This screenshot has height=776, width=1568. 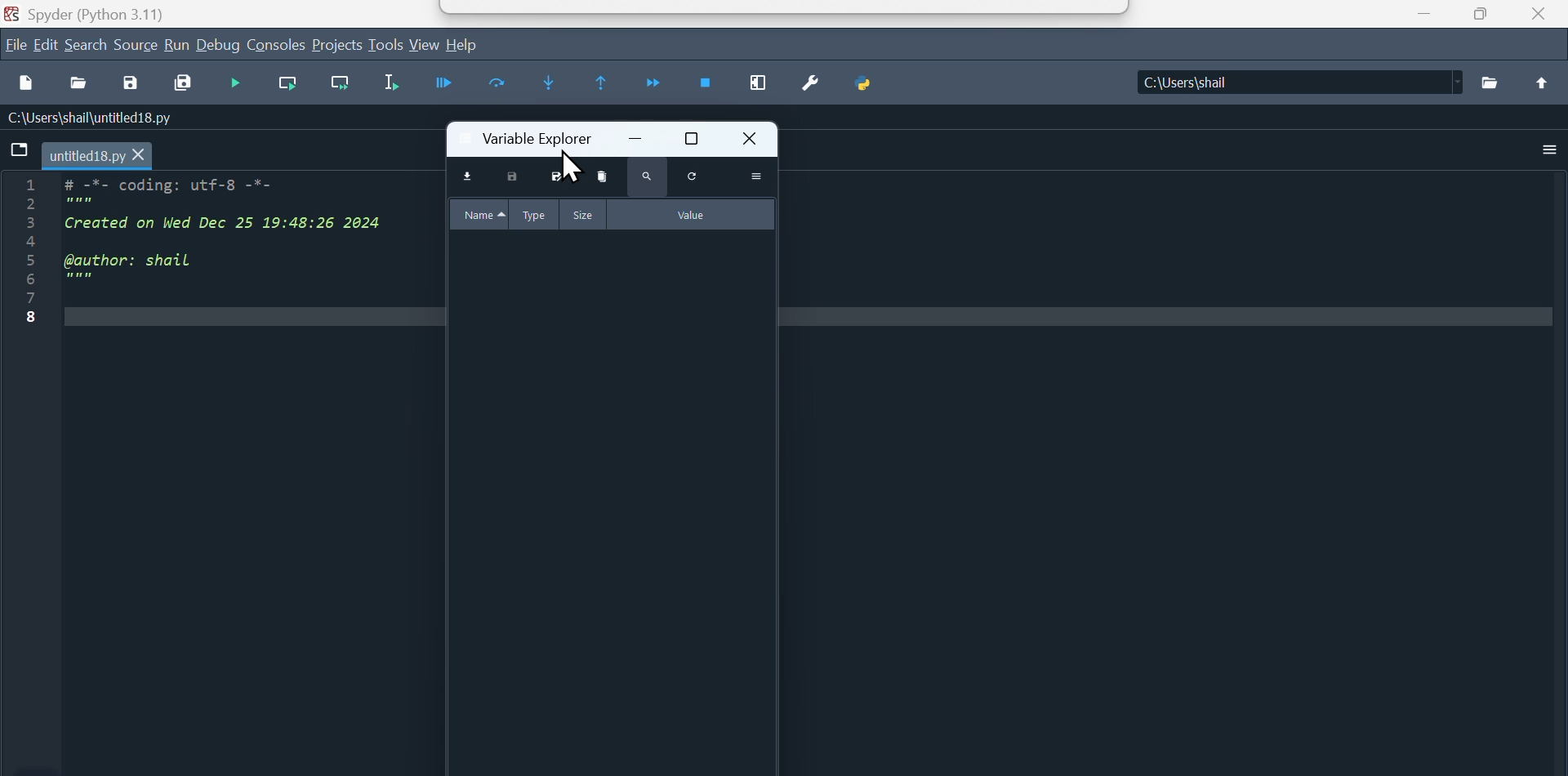 I want to click on reload, so click(x=690, y=176).